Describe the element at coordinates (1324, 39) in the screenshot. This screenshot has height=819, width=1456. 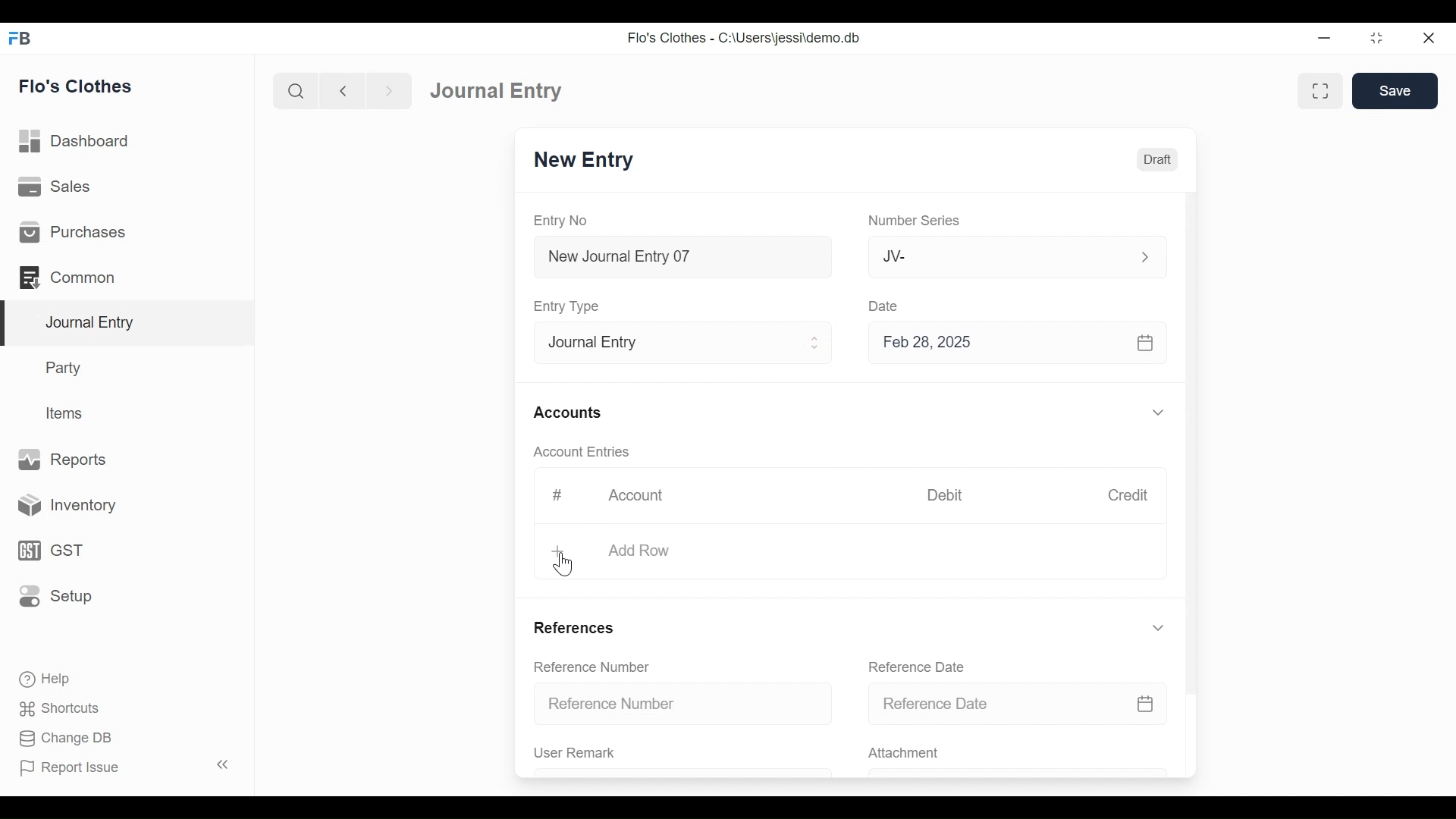
I see `minimize` at that location.